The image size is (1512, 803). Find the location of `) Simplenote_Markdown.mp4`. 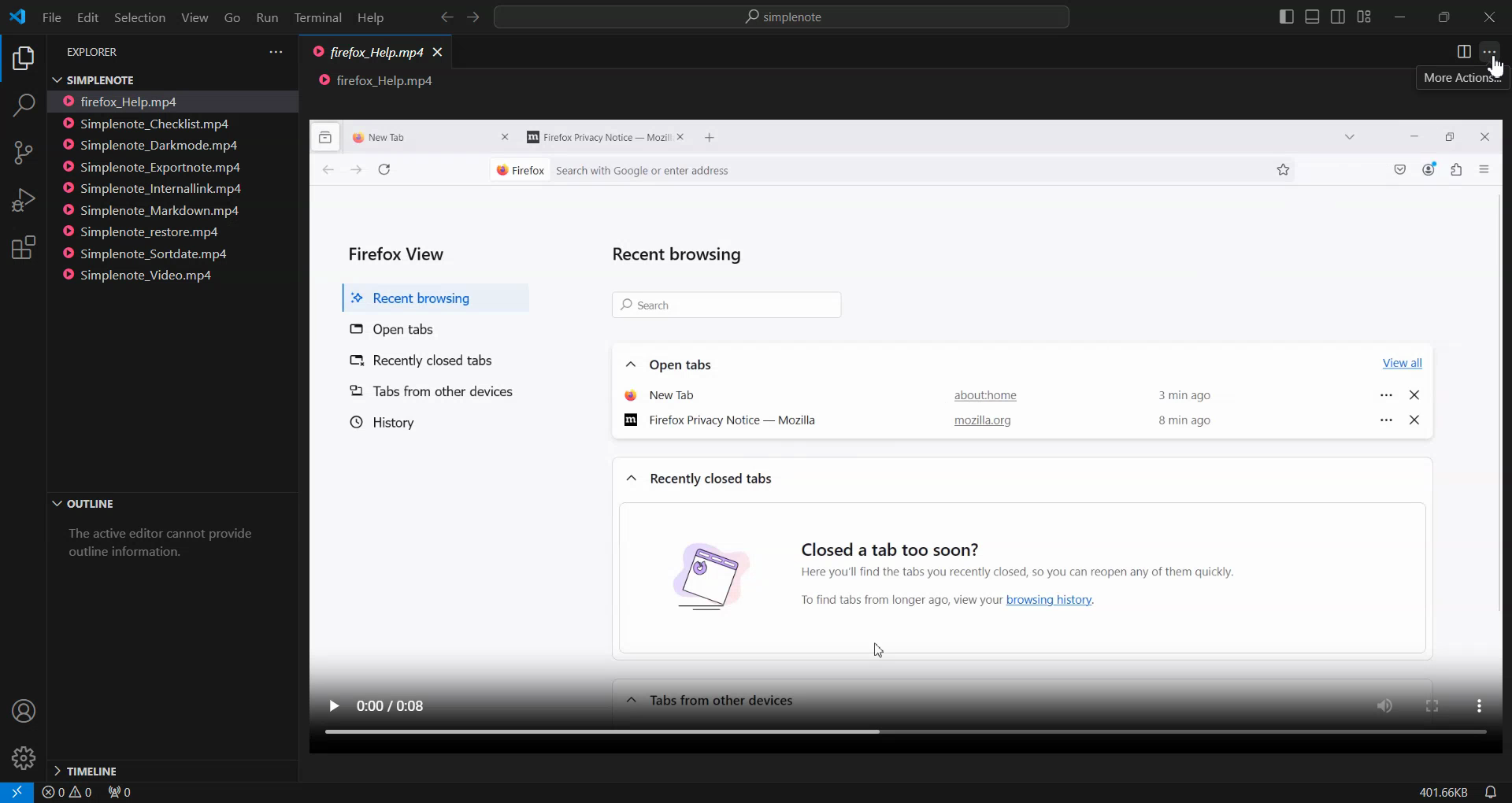

) Simplenote_Markdown.mp4 is located at coordinates (150, 211).